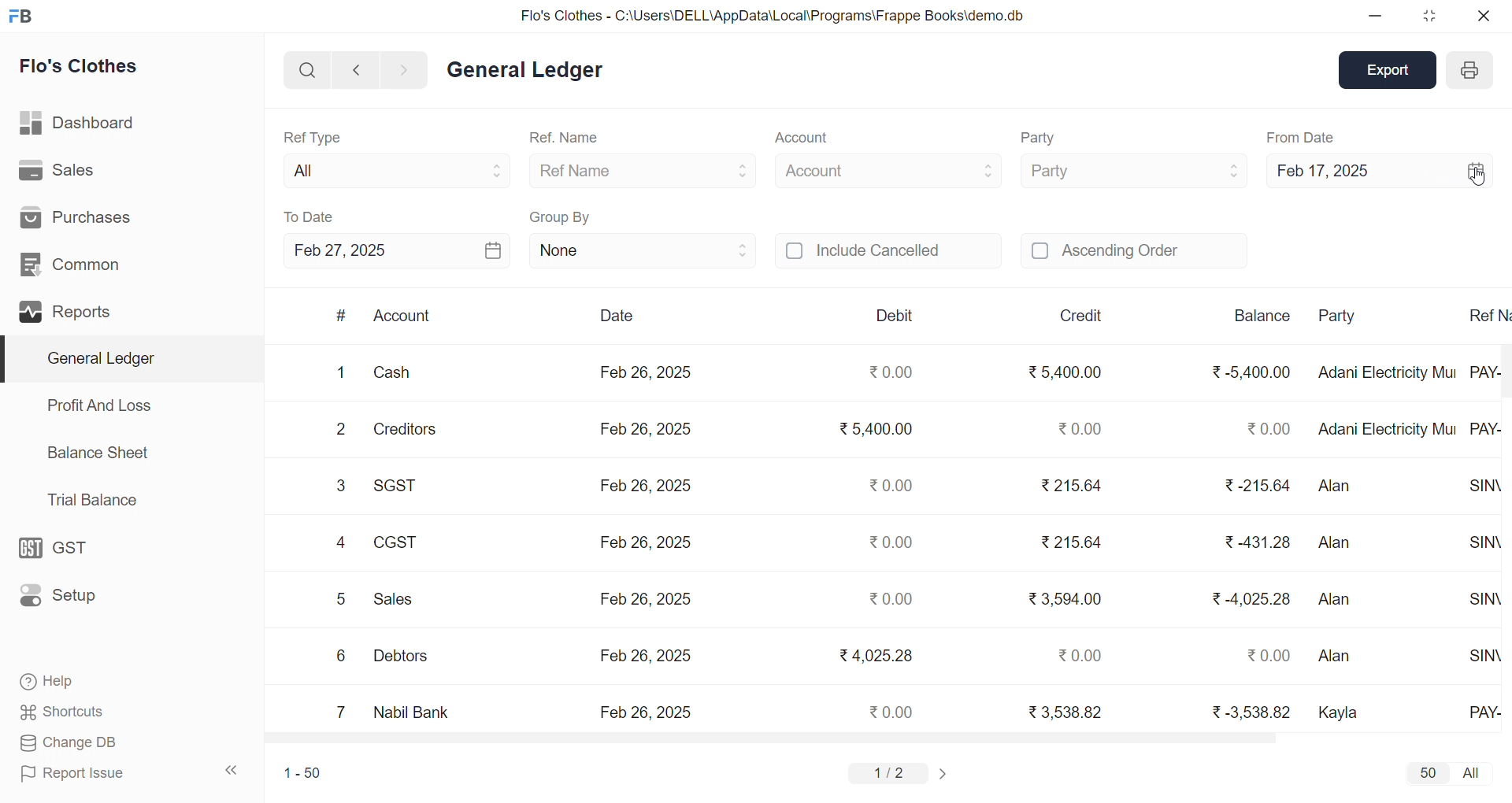 The width and height of the screenshot is (1512, 803). Describe the element at coordinates (1081, 654) in the screenshot. I see `₹0.00` at that location.